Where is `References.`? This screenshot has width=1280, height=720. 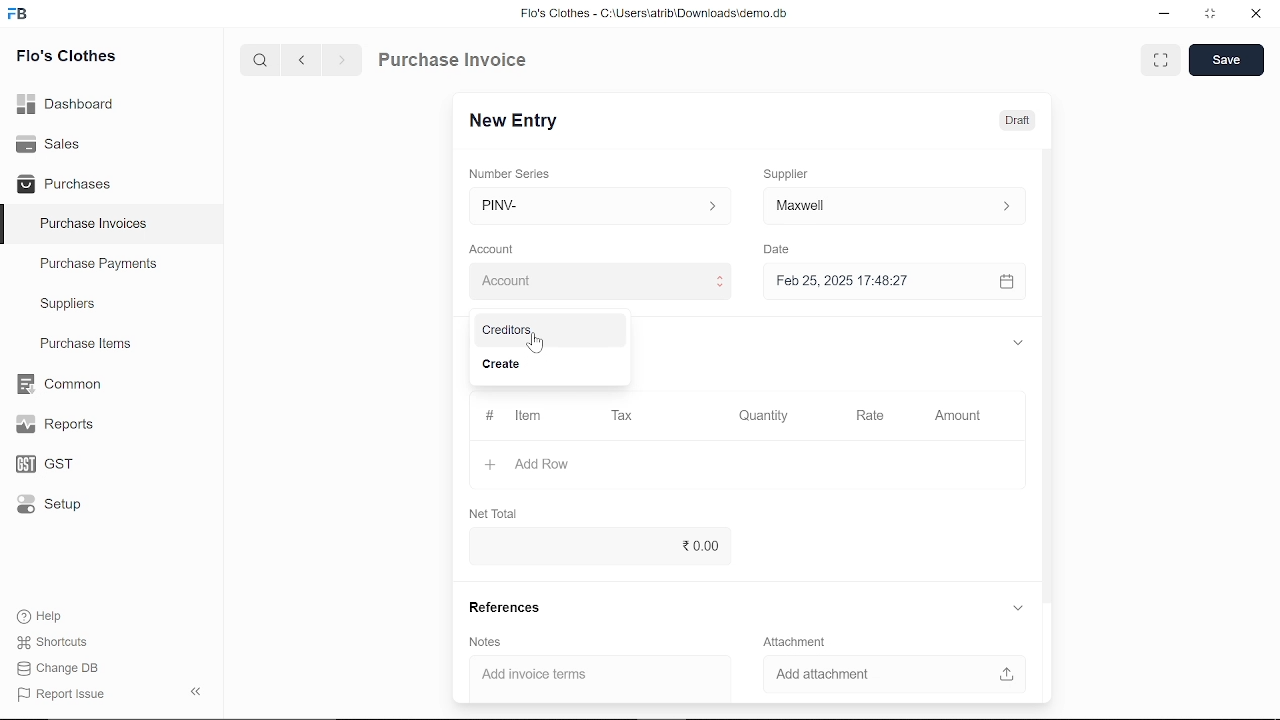
References. is located at coordinates (510, 608).